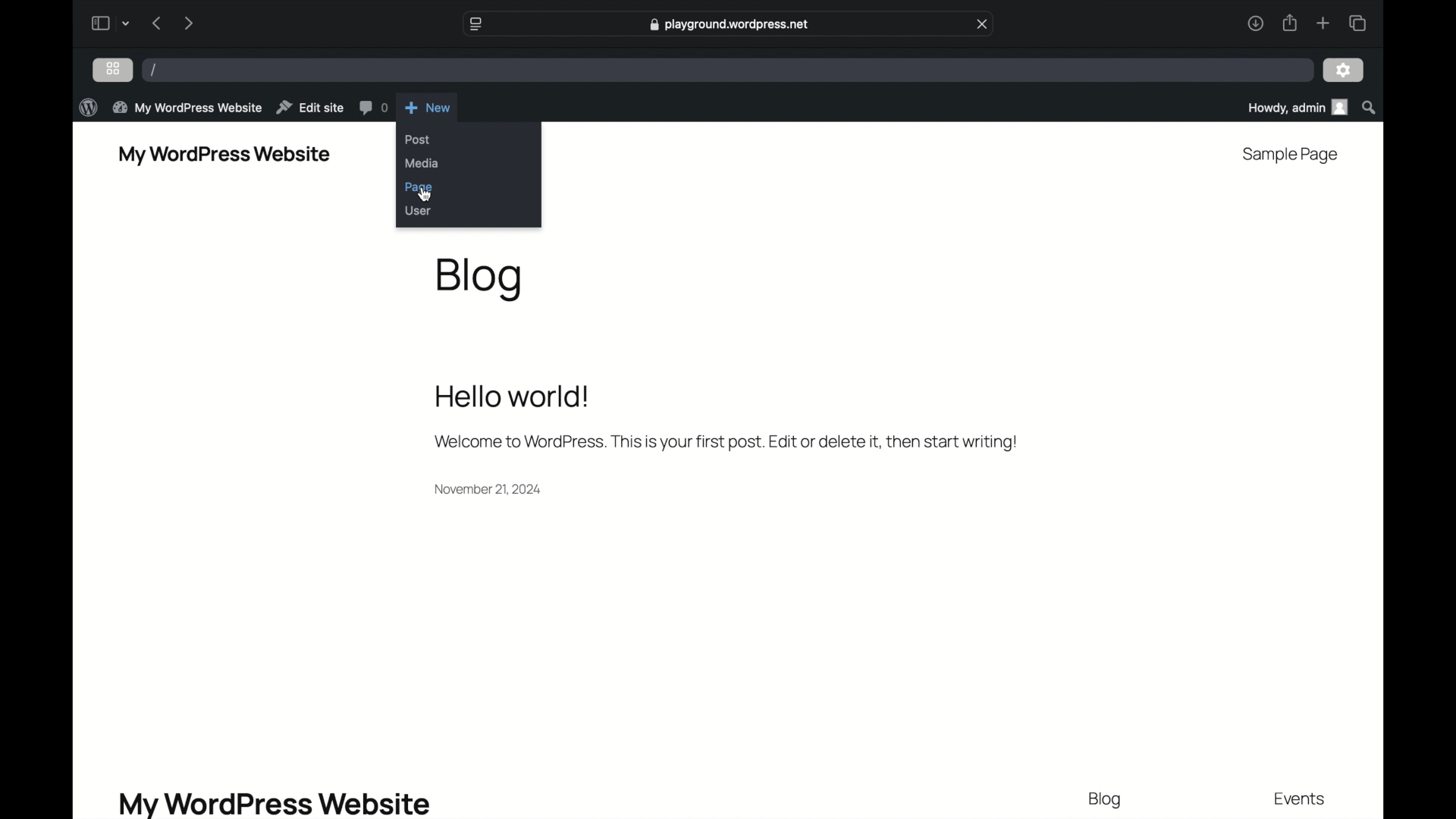 Image resolution: width=1456 pixels, height=819 pixels. Describe the element at coordinates (426, 196) in the screenshot. I see `cursor` at that location.